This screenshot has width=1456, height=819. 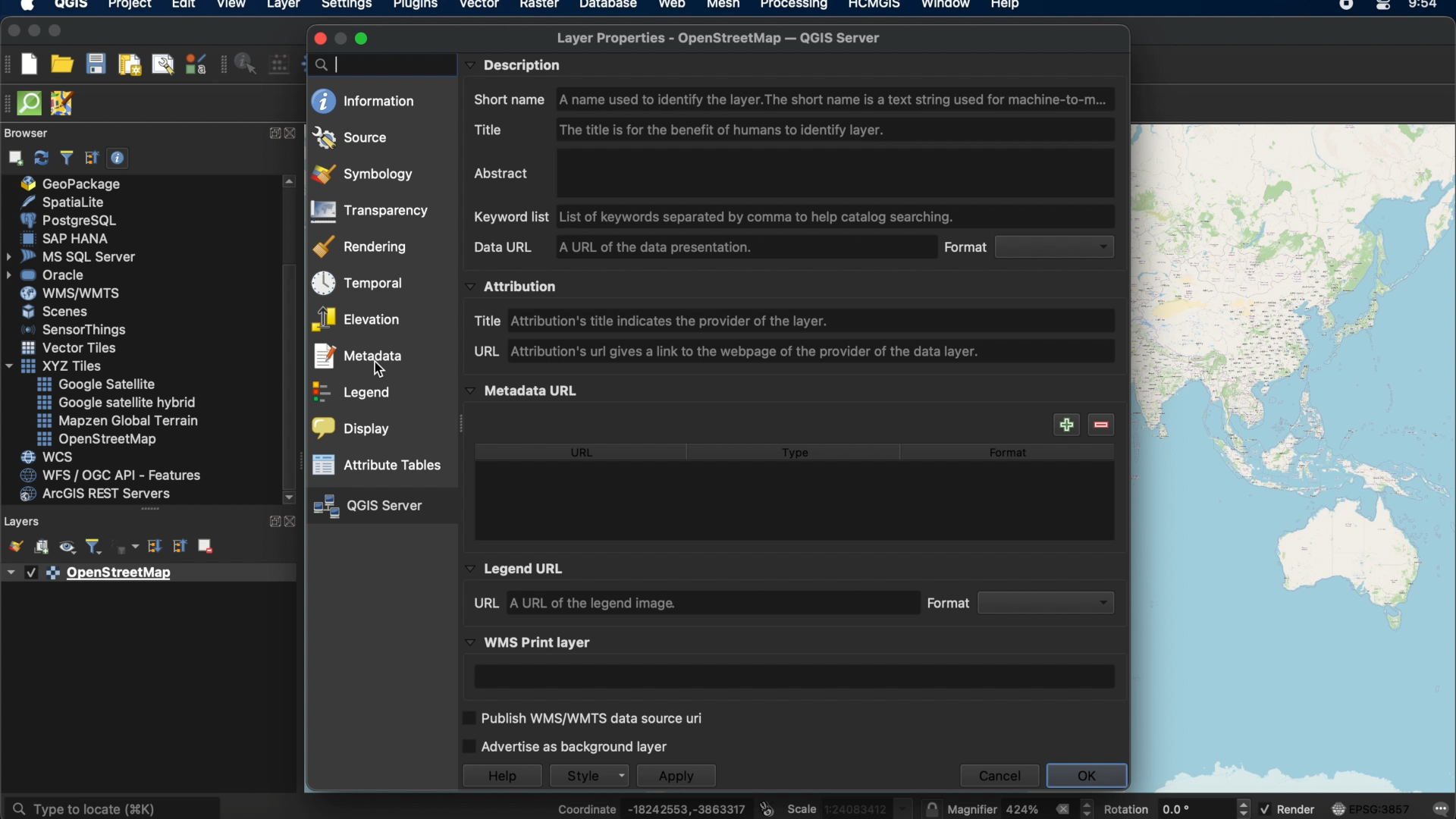 What do you see at coordinates (675, 776) in the screenshot?
I see `apply` at bounding box center [675, 776].